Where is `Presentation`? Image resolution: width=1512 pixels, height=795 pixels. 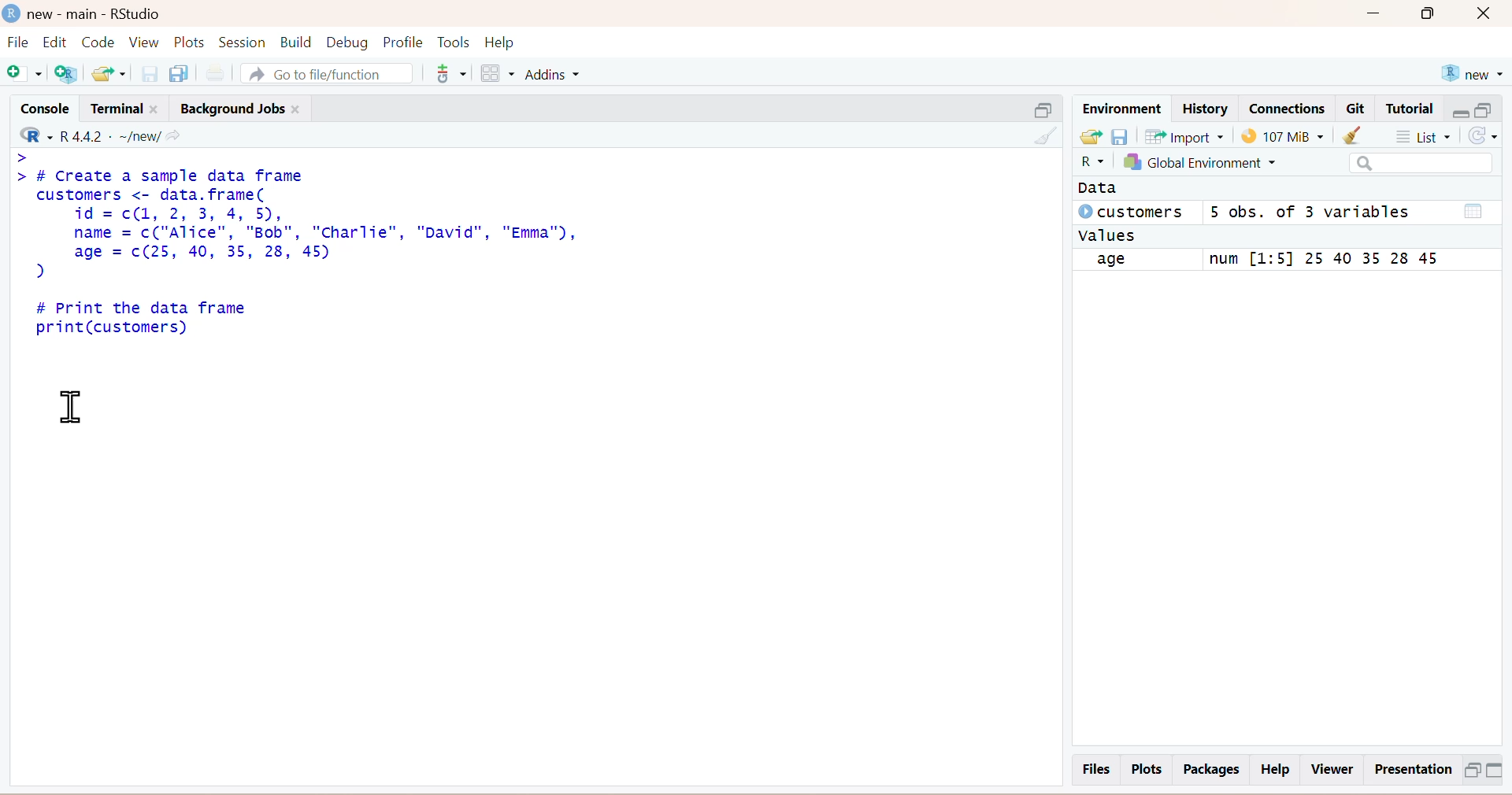 Presentation is located at coordinates (1410, 770).